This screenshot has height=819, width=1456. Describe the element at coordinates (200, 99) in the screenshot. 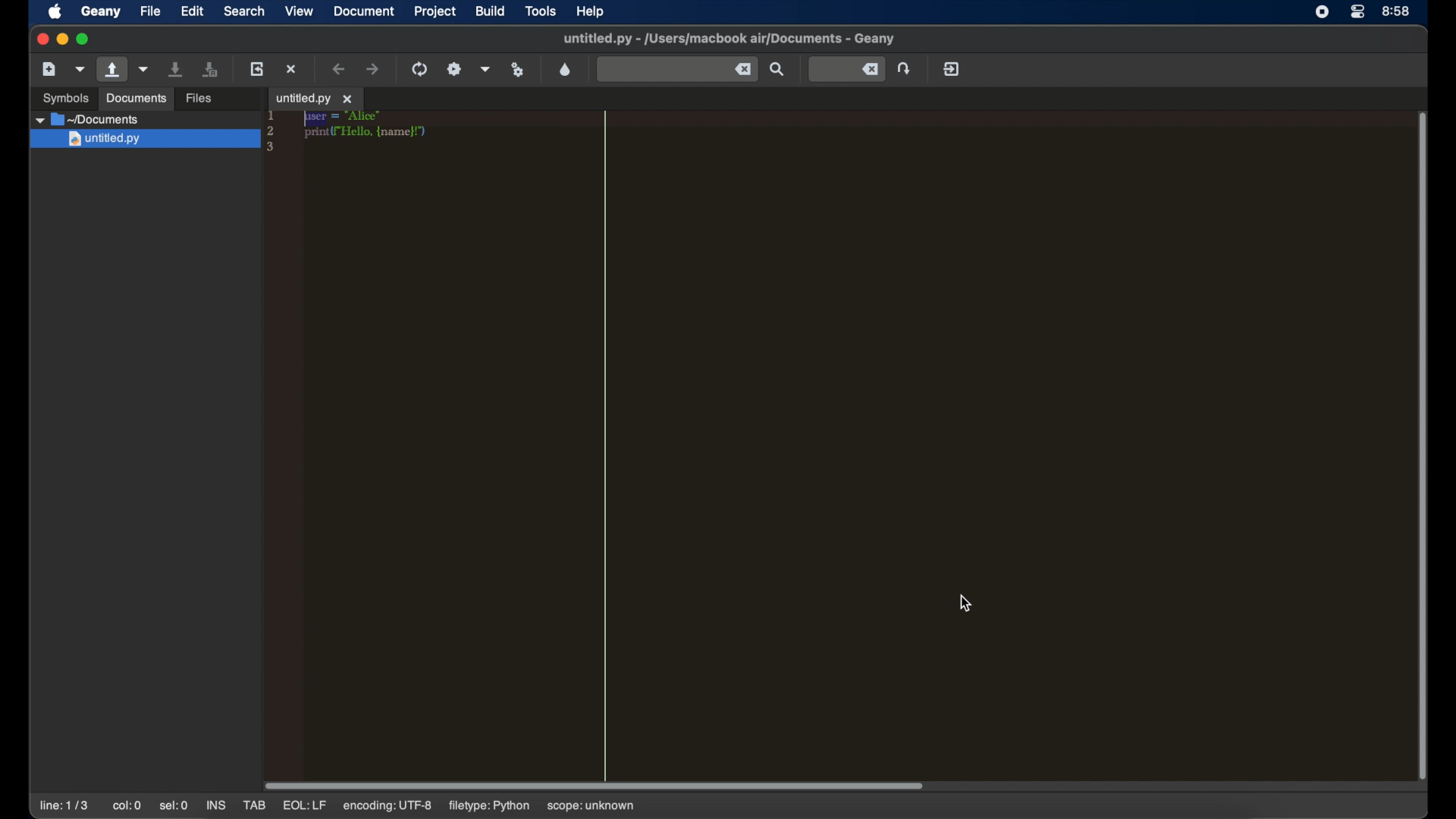

I see `files` at that location.